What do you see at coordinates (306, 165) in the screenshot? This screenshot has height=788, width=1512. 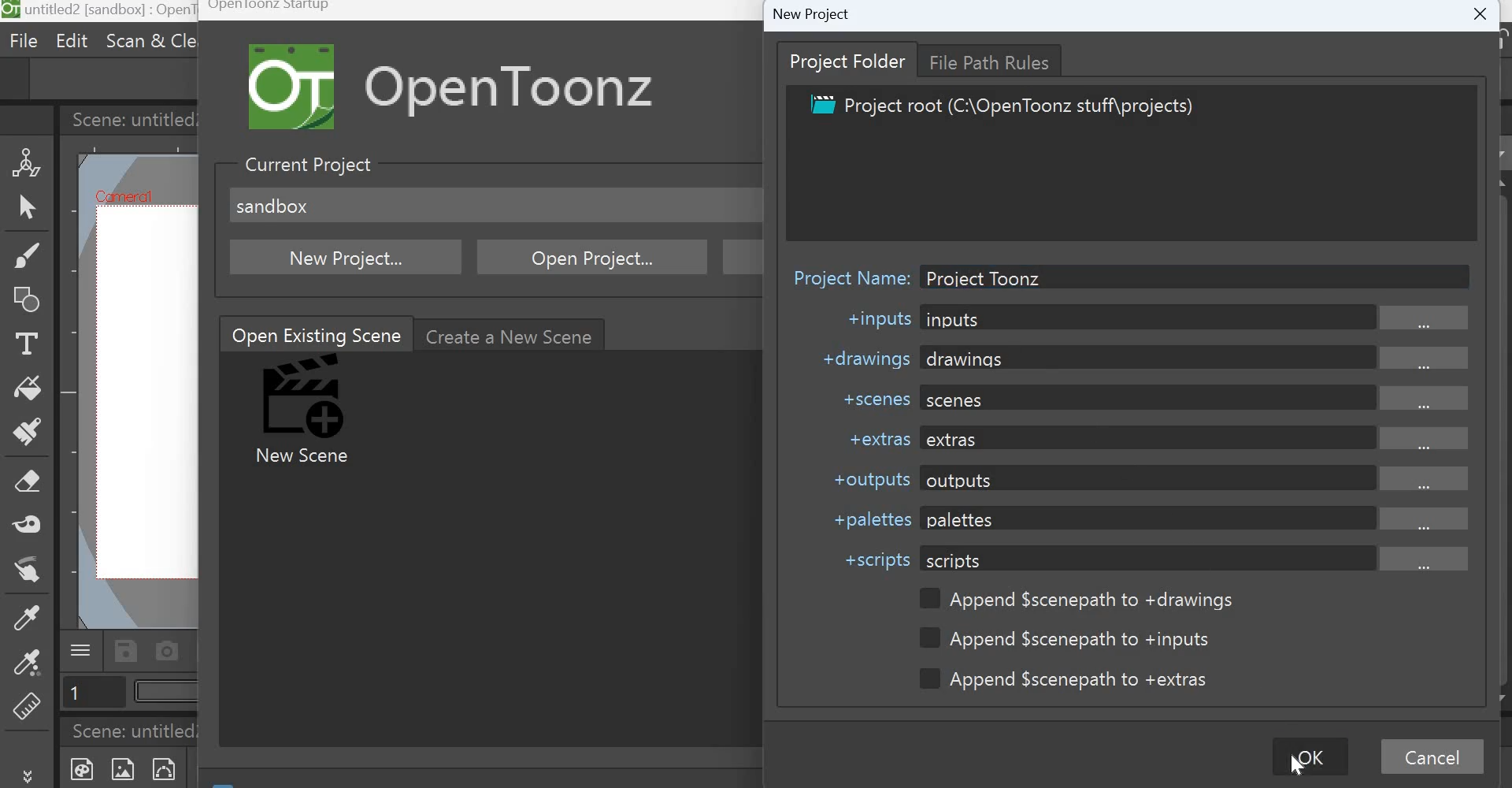 I see `Current Project` at bounding box center [306, 165].